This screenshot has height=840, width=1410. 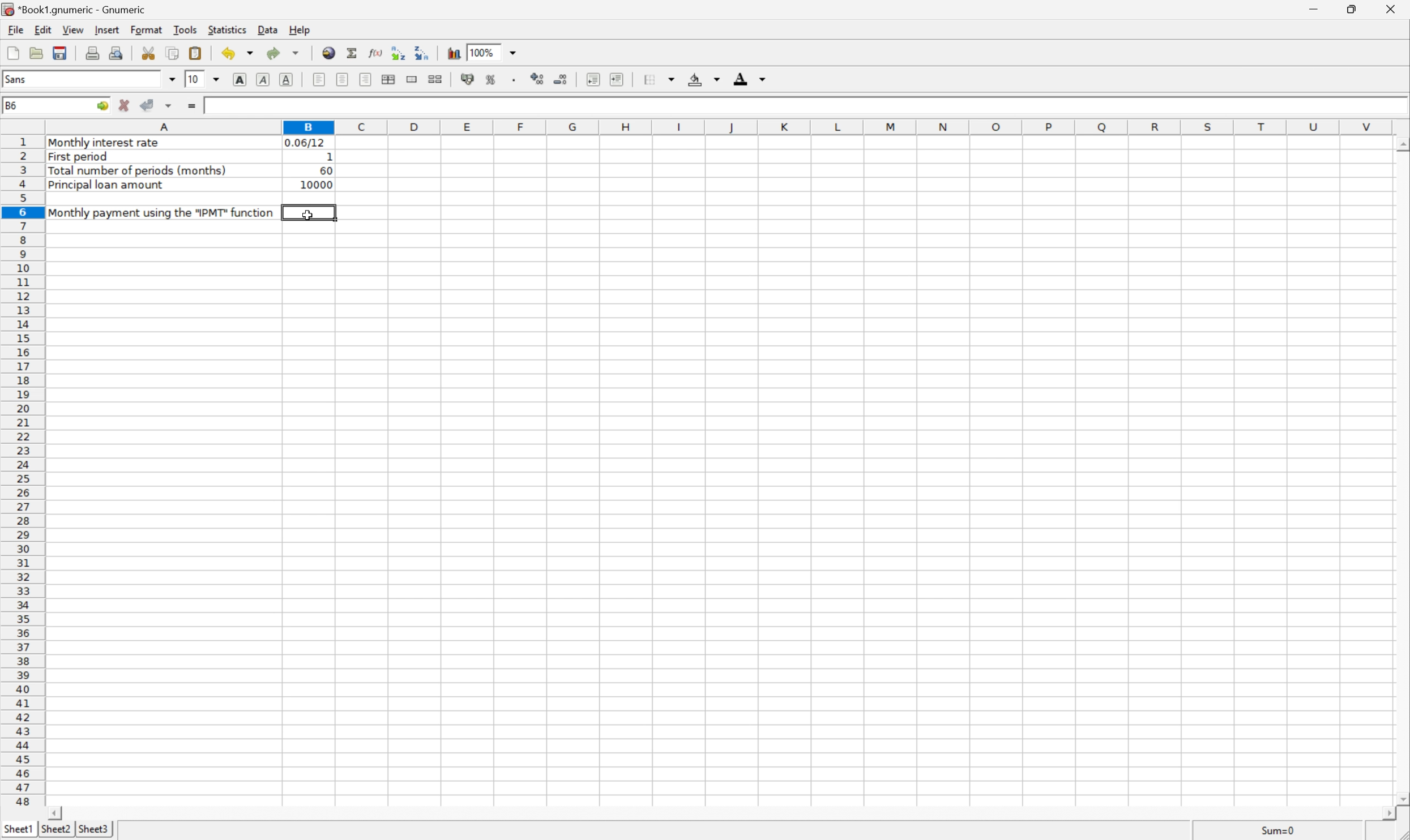 I want to click on Sort the selected region in ascending order based on the first column selected, so click(x=397, y=53).